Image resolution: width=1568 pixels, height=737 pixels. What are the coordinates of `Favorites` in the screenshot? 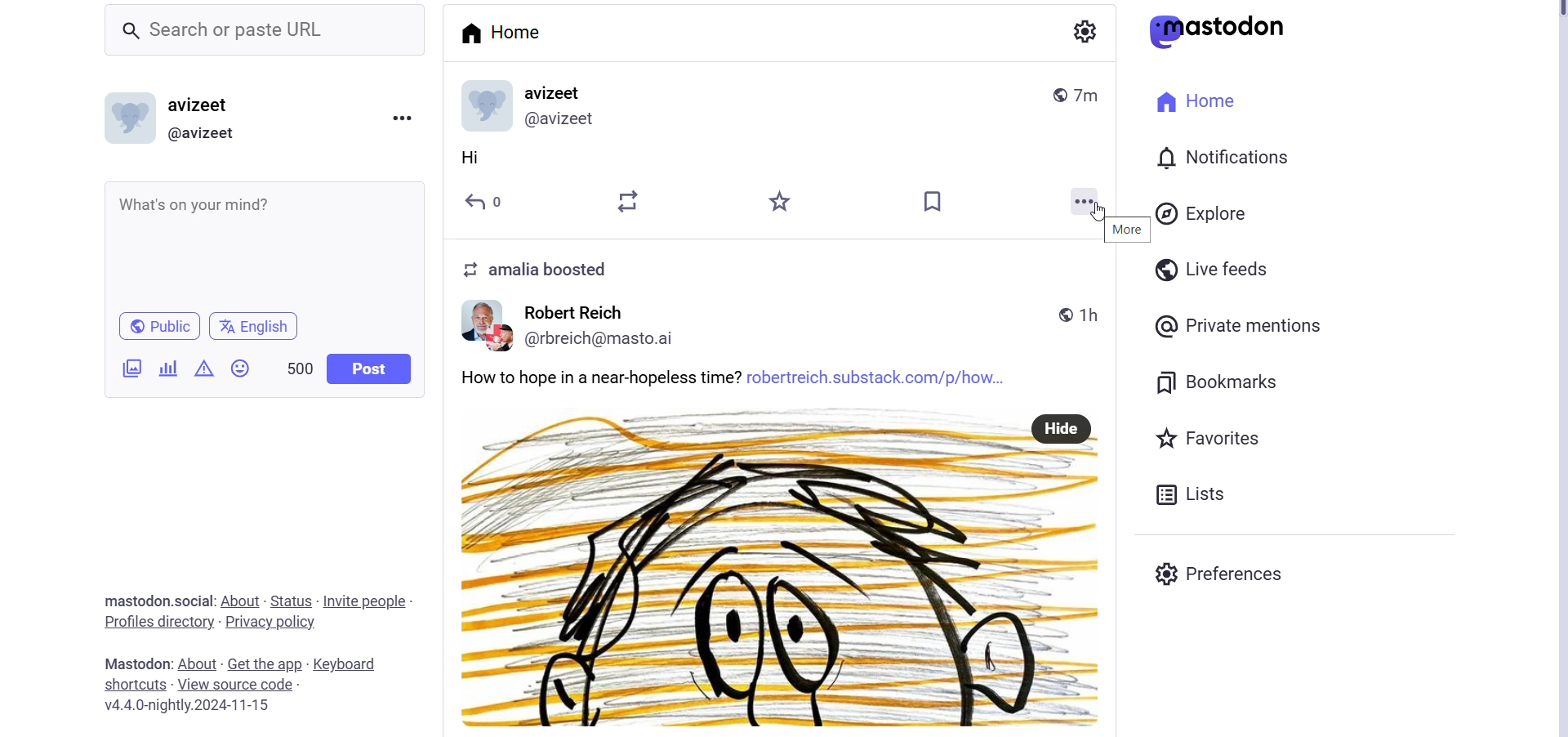 It's located at (1220, 437).